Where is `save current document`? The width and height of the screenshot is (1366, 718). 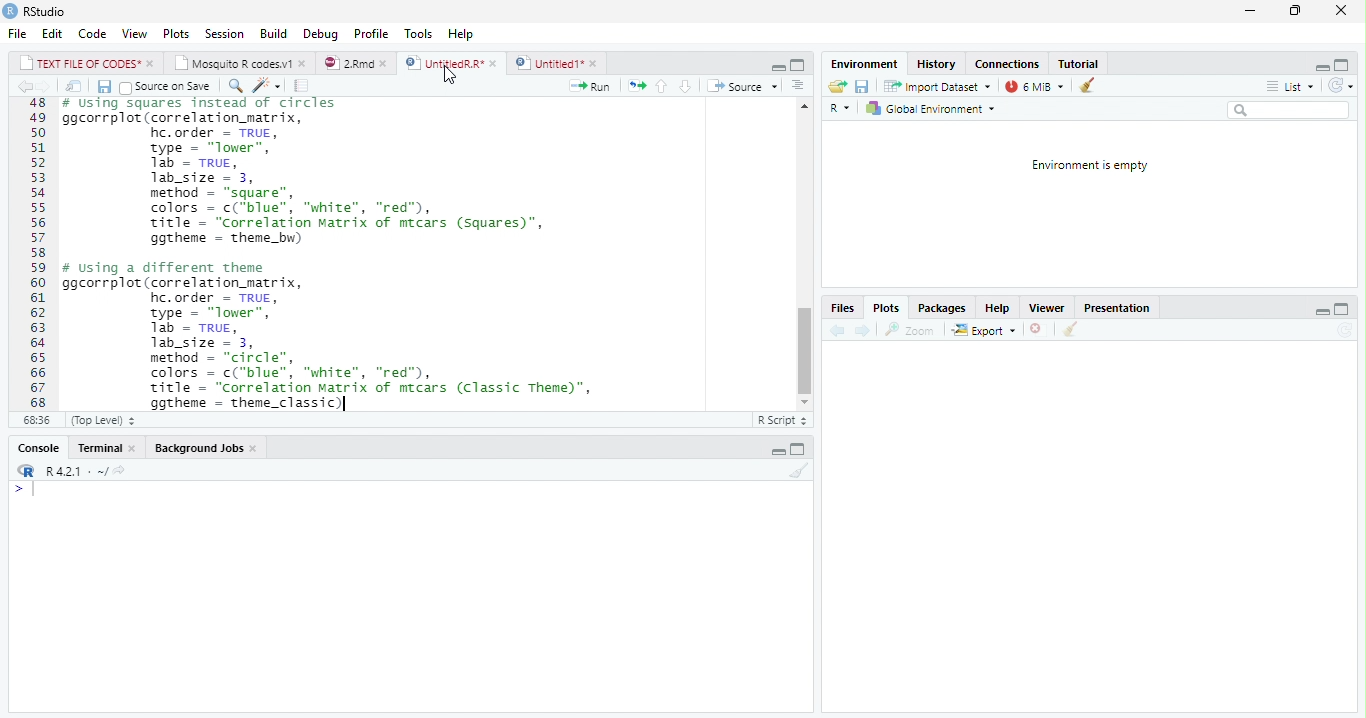 save current document is located at coordinates (103, 86).